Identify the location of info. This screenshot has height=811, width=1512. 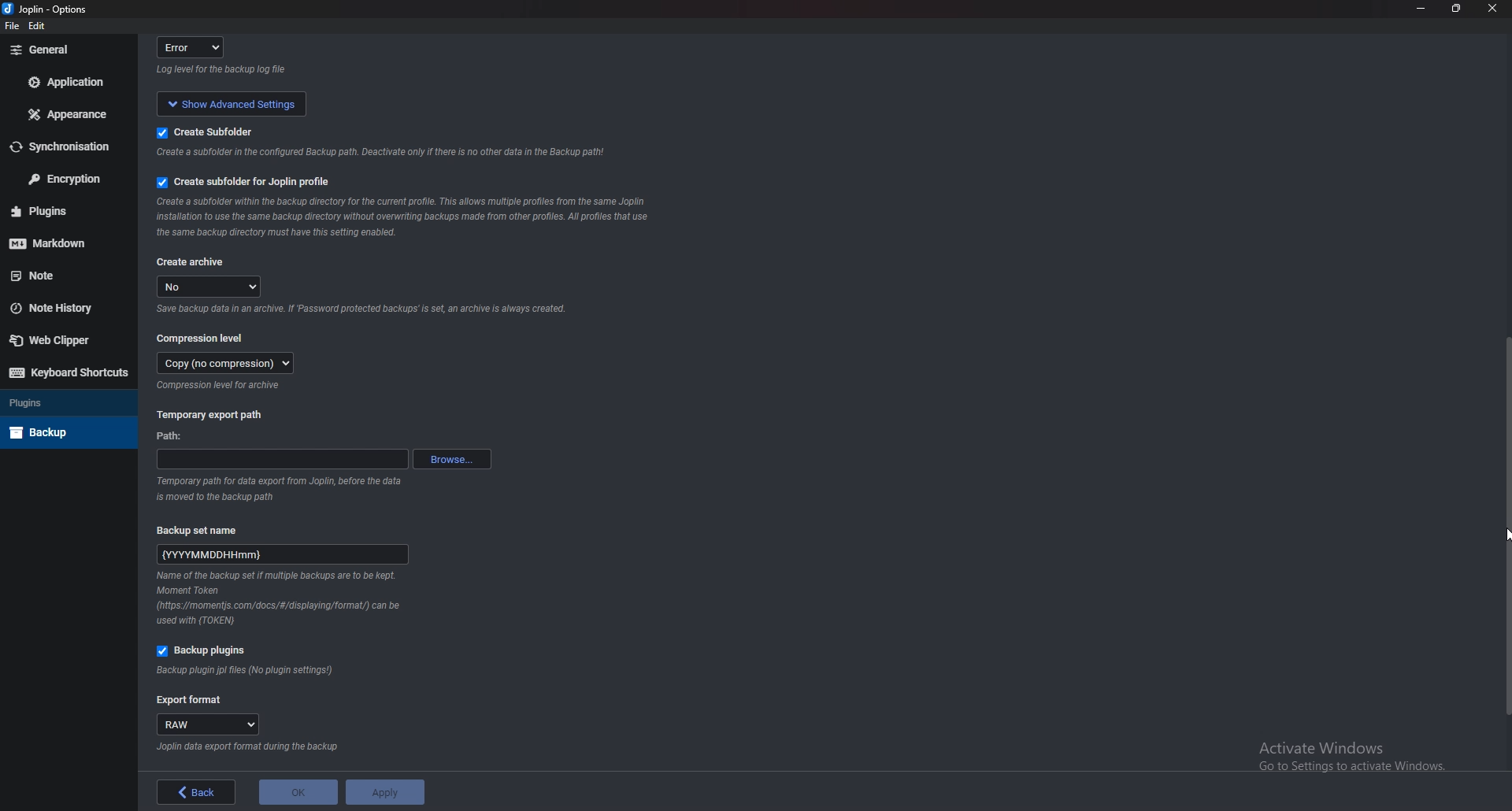
(284, 487).